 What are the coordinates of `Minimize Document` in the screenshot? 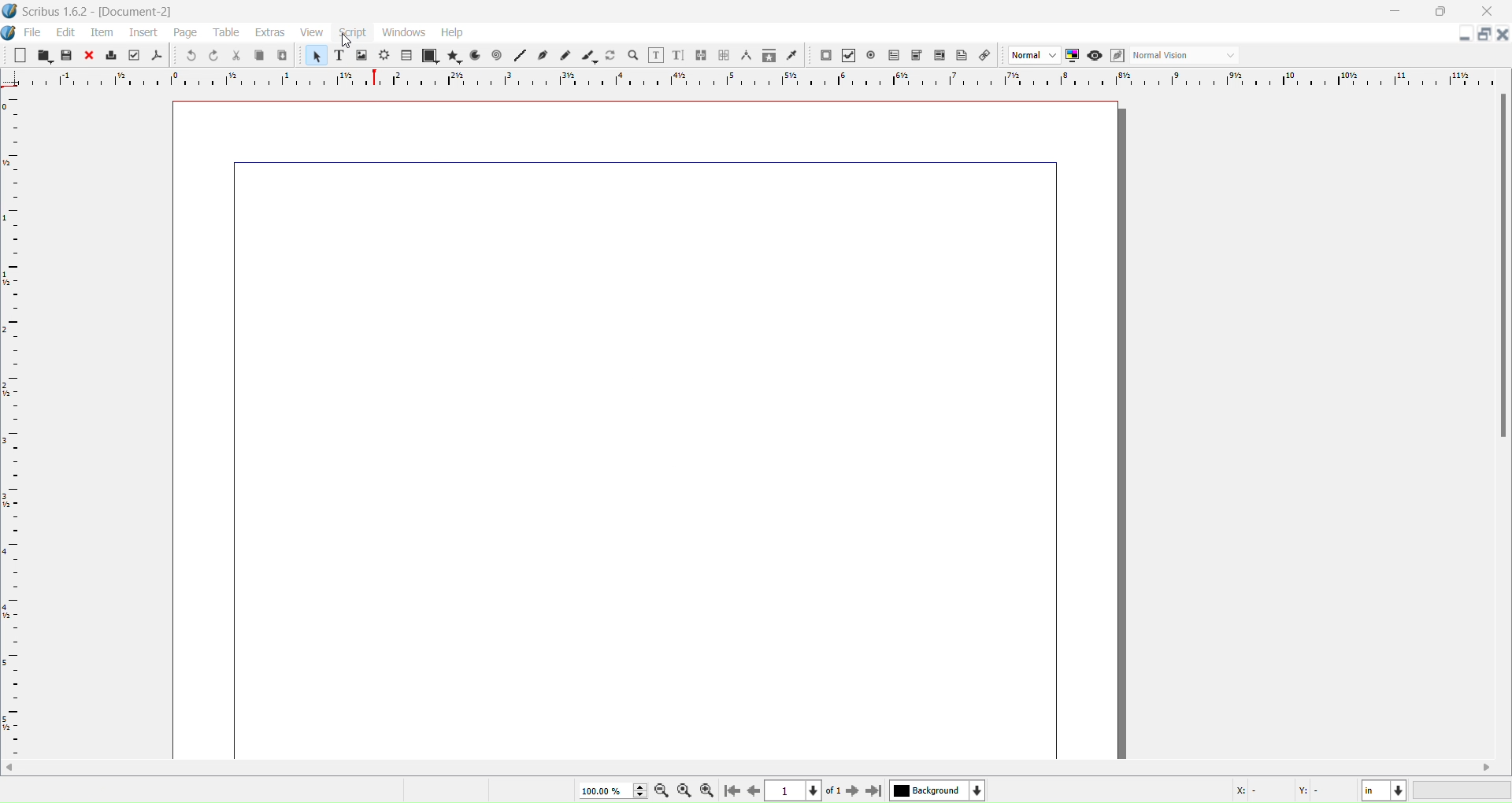 It's located at (1466, 36).